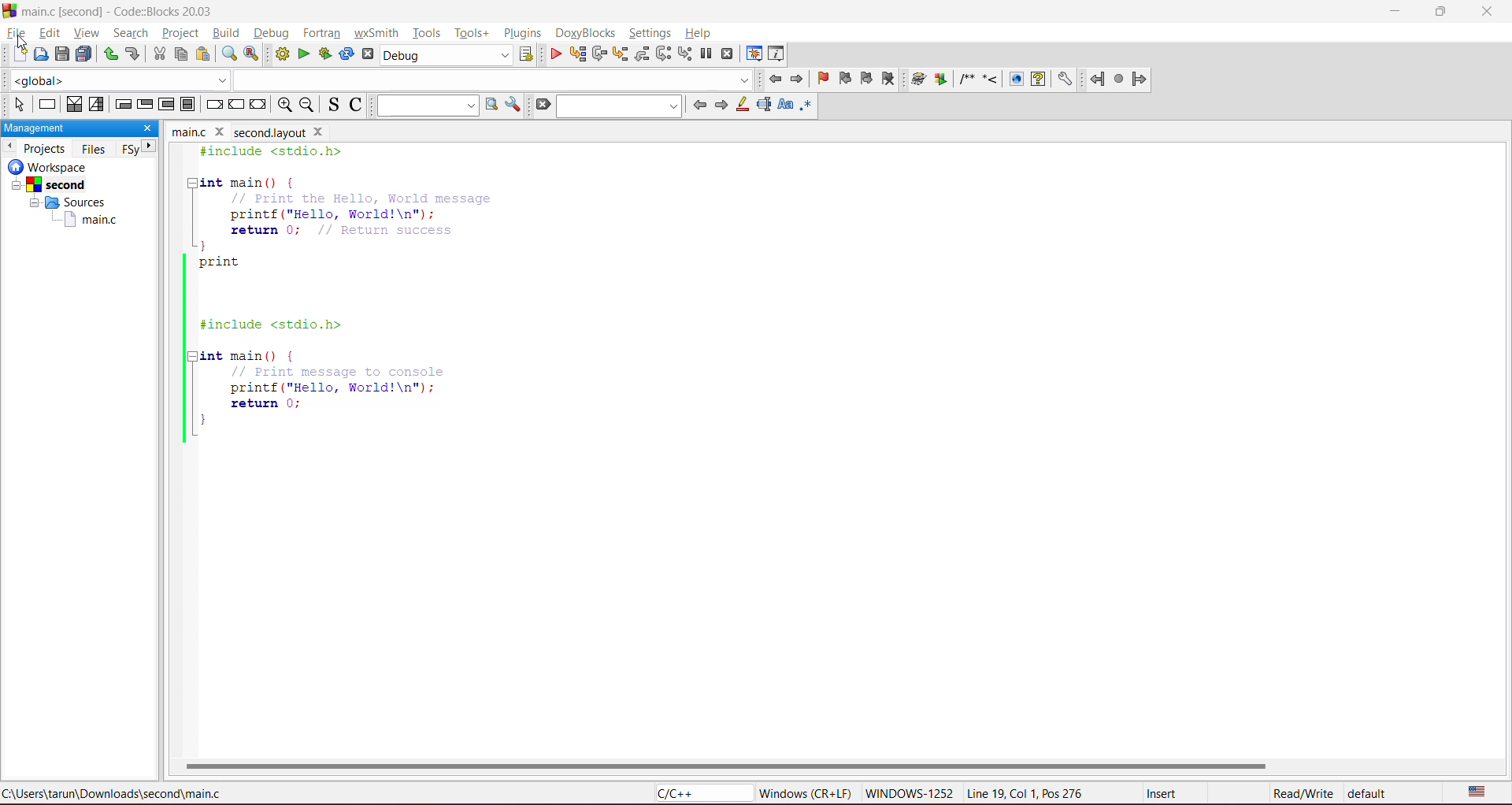  What do you see at coordinates (787, 108) in the screenshot?
I see `match case` at bounding box center [787, 108].